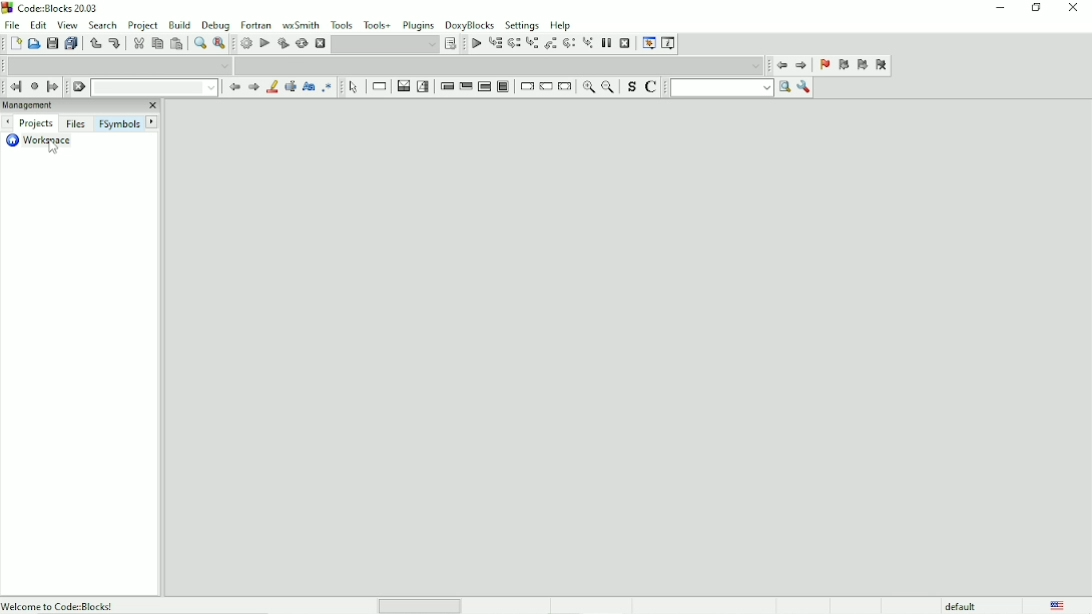  Describe the element at coordinates (881, 66) in the screenshot. I see `Clear bookmarks` at that location.